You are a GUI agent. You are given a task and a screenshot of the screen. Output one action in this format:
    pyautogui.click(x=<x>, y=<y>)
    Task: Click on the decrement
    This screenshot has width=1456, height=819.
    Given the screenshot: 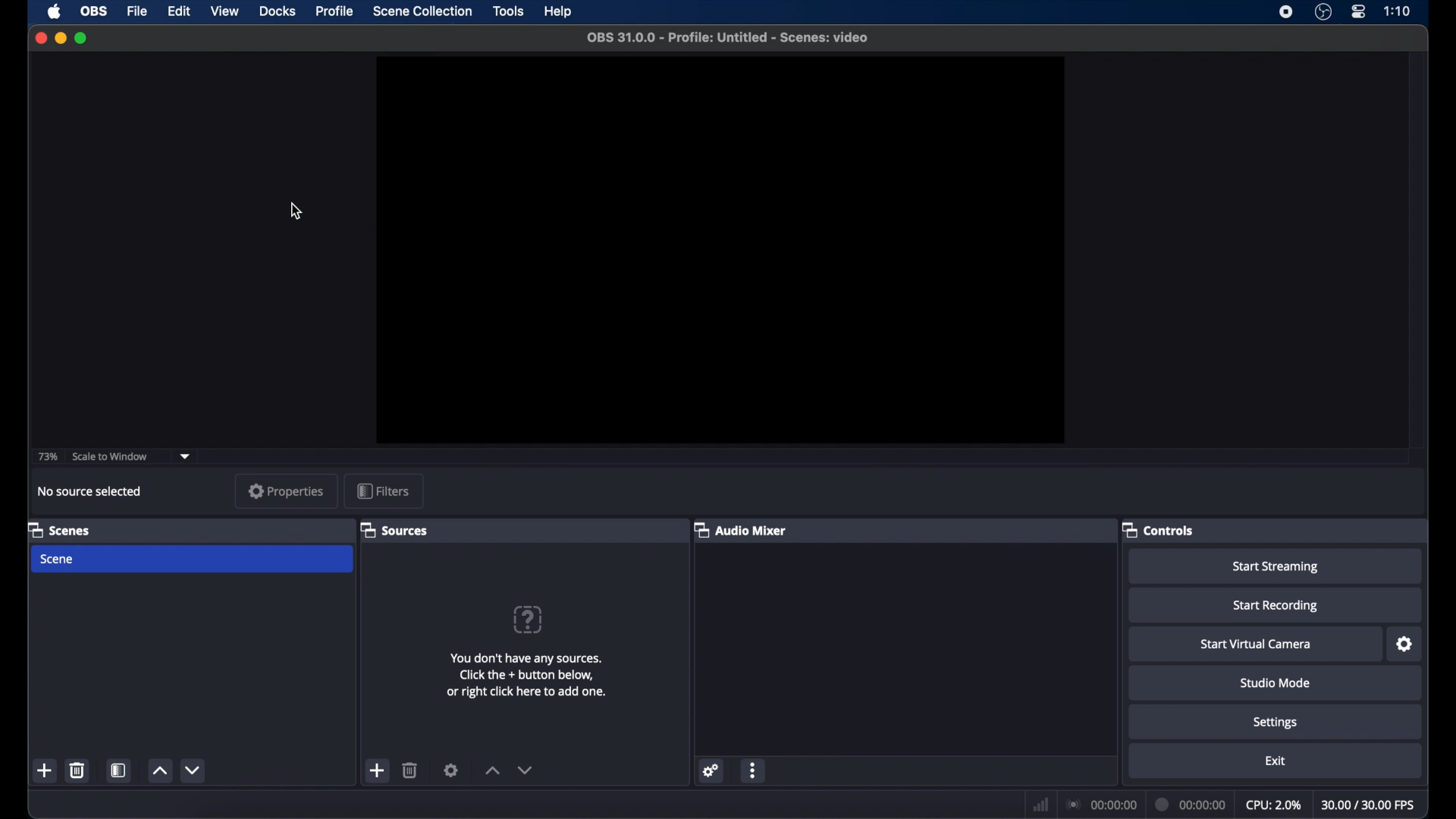 What is the action you would take?
    pyautogui.click(x=526, y=769)
    